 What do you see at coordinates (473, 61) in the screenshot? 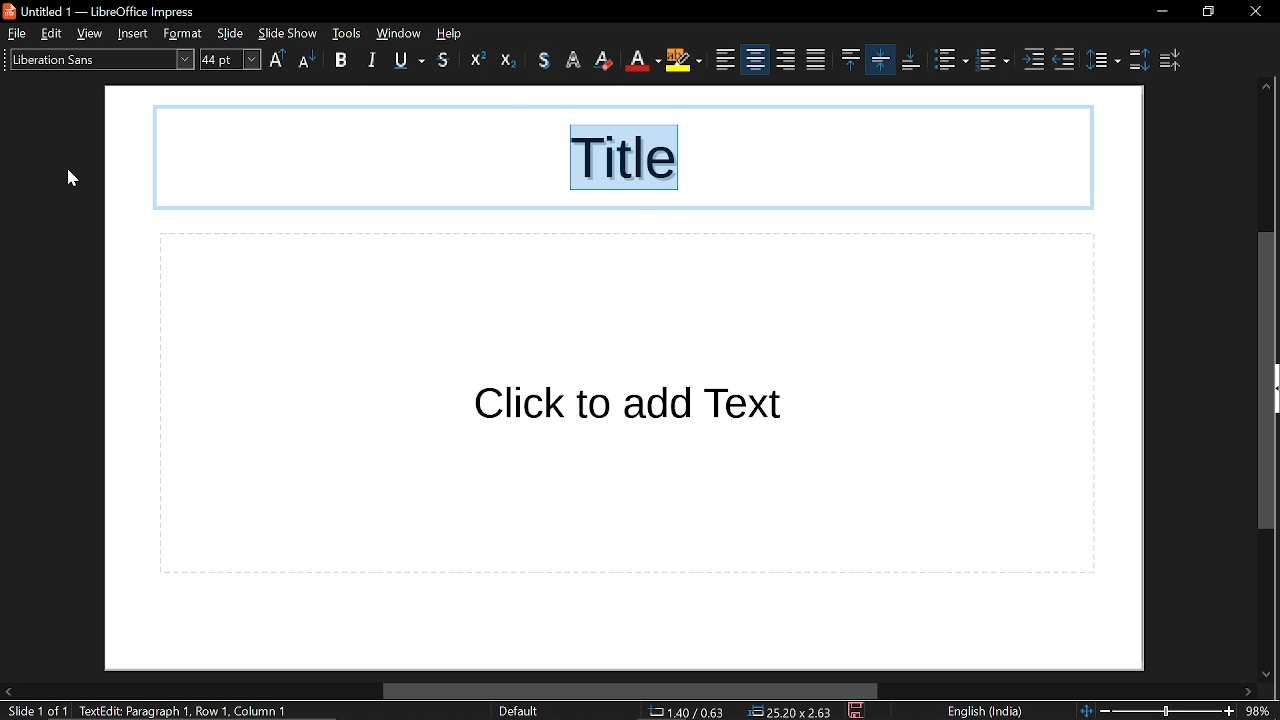
I see `superscript` at bounding box center [473, 61].